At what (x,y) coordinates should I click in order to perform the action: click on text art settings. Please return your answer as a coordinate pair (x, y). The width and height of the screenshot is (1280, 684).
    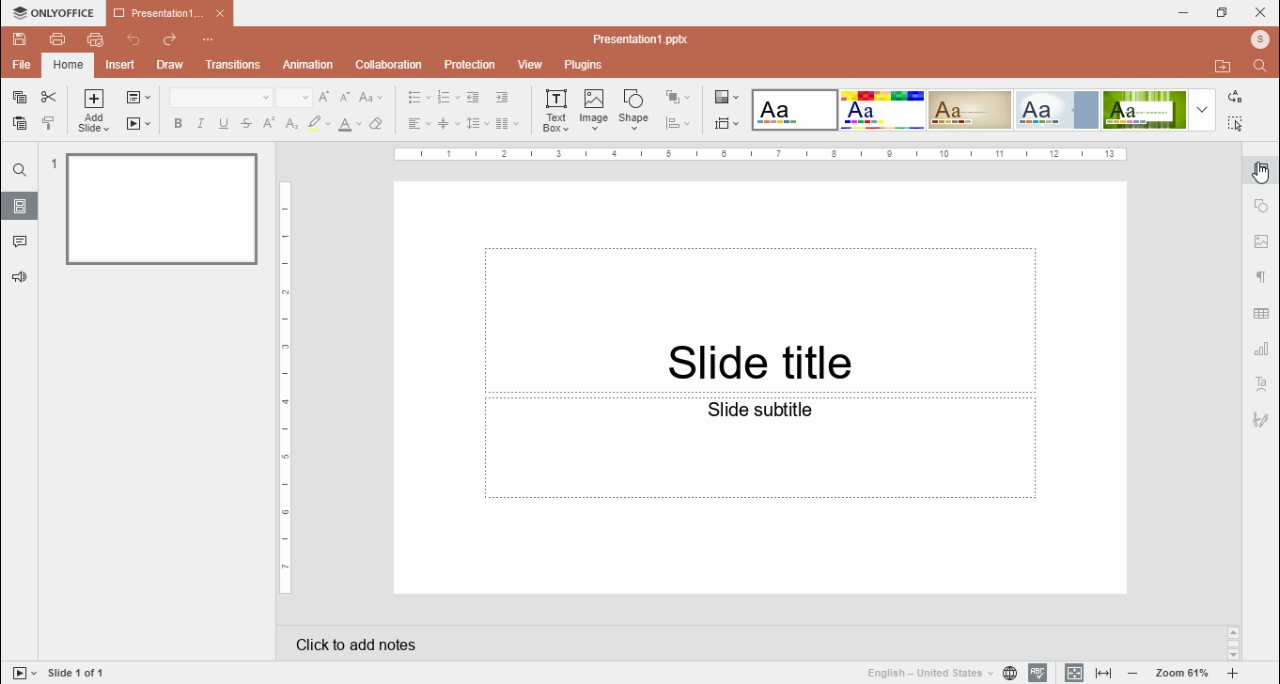
    Looking at the image, I should click on (1262, 385).